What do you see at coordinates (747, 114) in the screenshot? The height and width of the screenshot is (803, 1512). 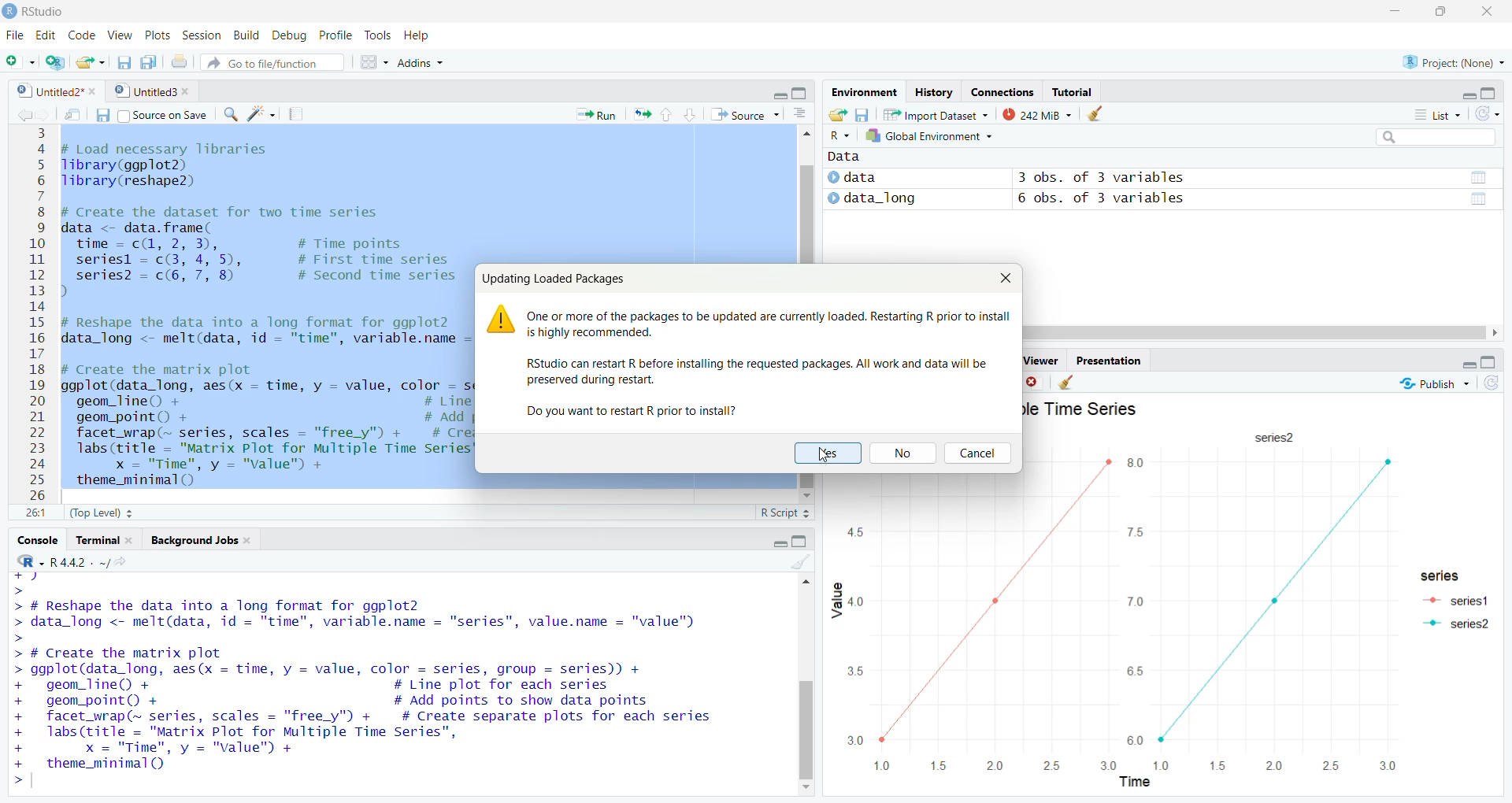 I see `Source ` at bounding box center [747, 114].